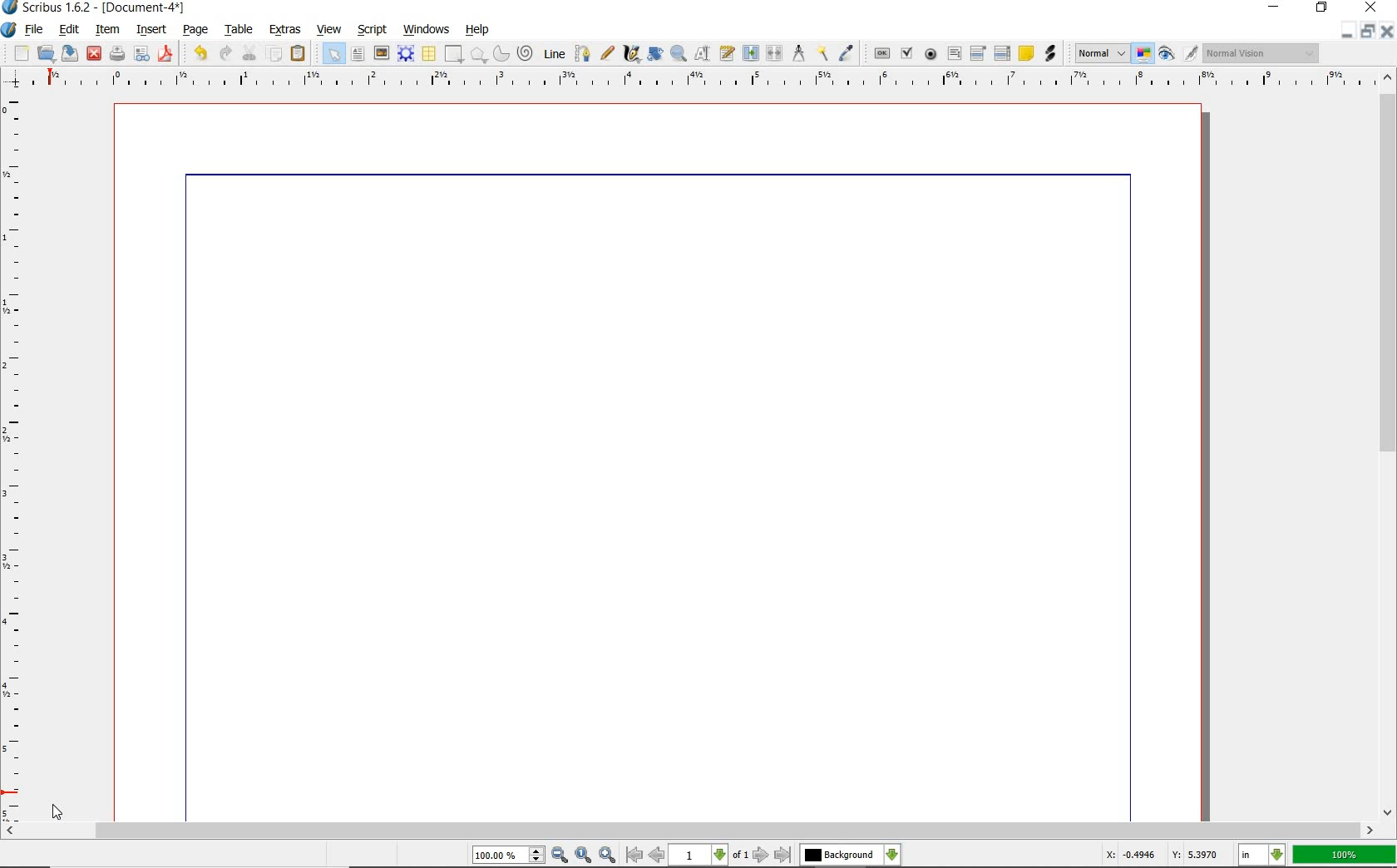 This screenshot has width=1397, height=868. Describe the element at coordinates (1345, 855) in the screenshot. I see `100%` at that location.